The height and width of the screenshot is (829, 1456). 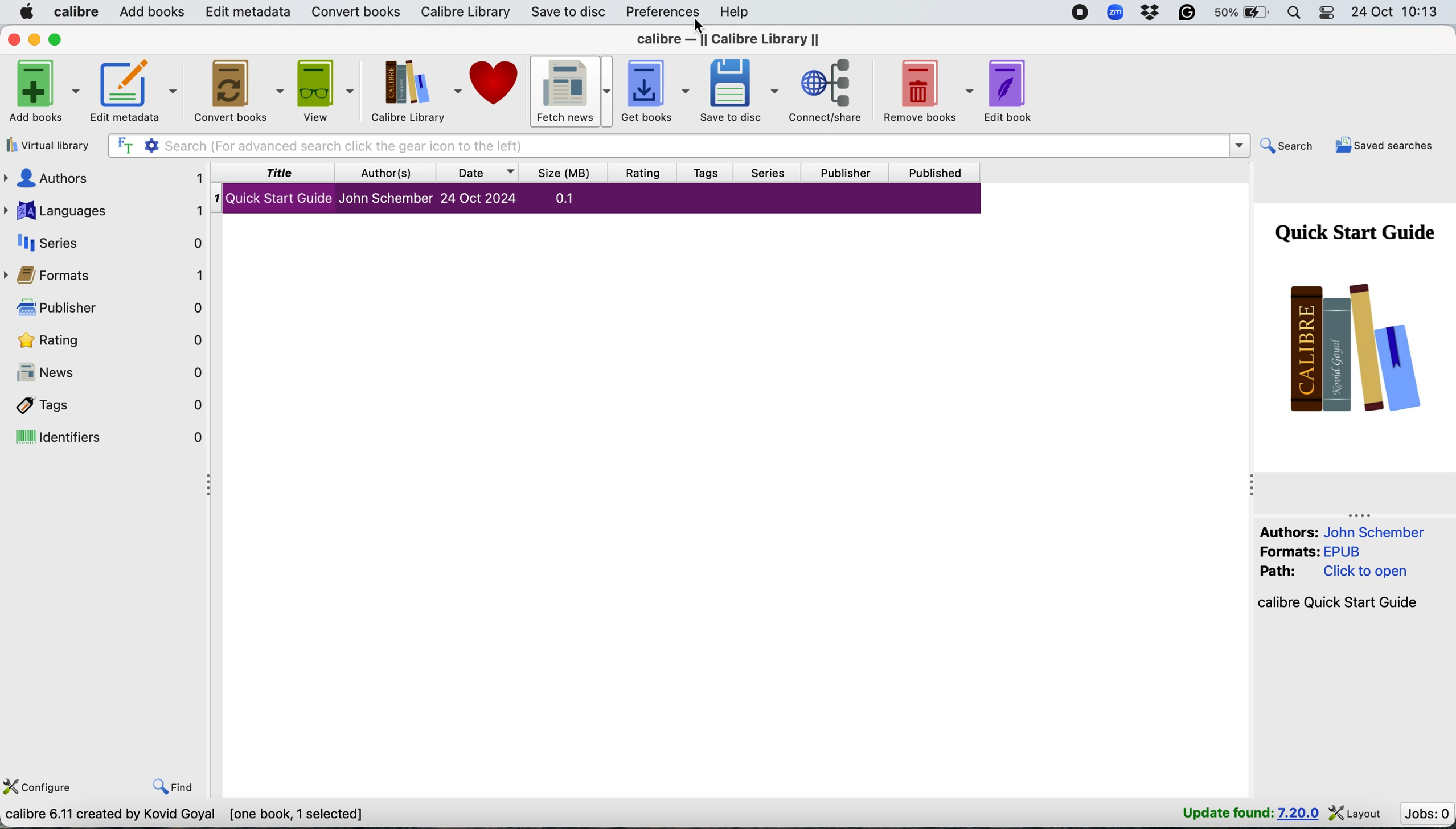 What do you see at coordinates (236, 91) in the screenshot?
I see `convert books` at bounding box center [236, 91].